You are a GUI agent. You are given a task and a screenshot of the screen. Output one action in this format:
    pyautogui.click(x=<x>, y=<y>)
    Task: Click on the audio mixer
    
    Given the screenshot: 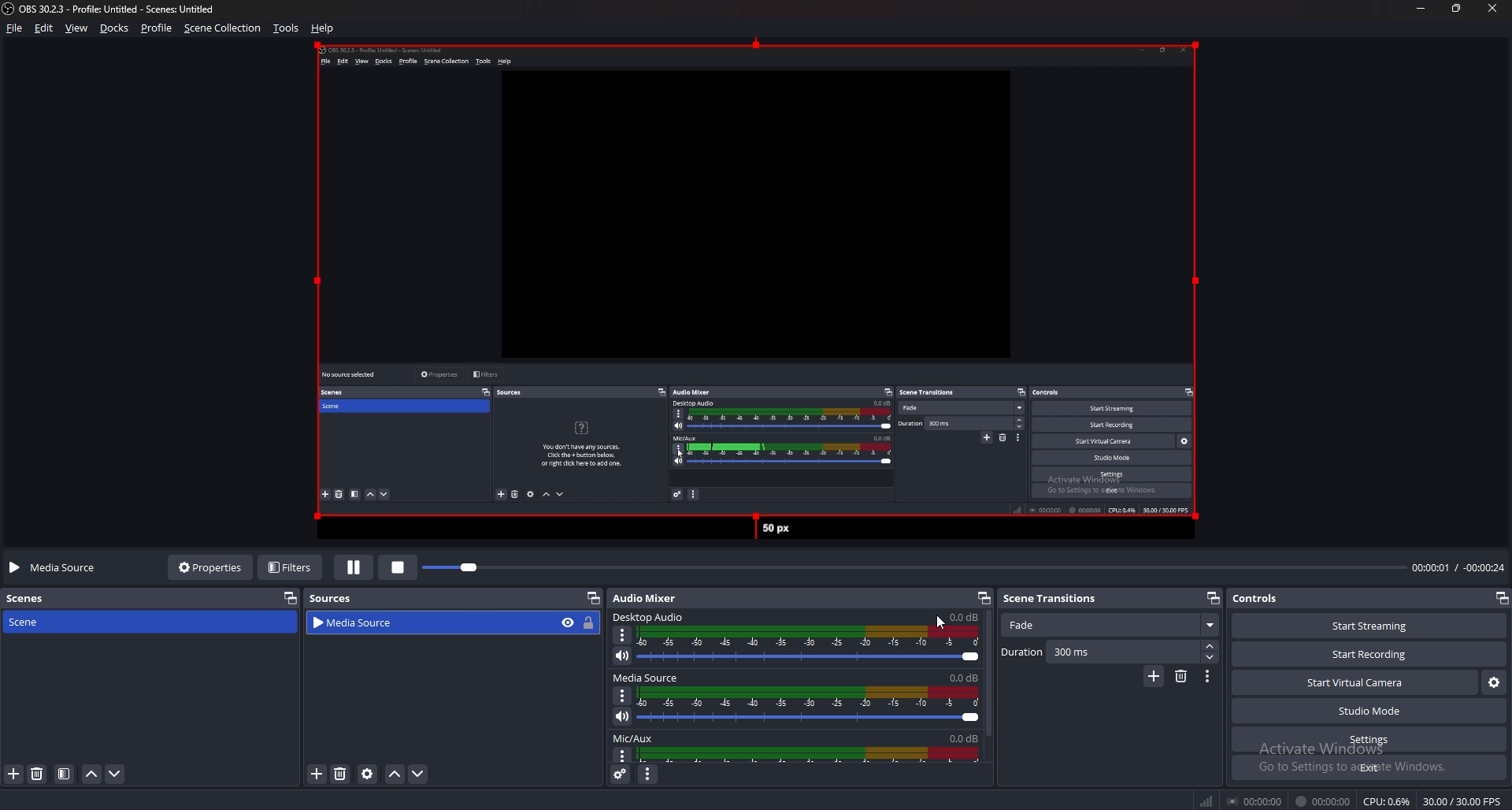 What is the action you would take?
    pyautogui.click(x=644, y=599)
    